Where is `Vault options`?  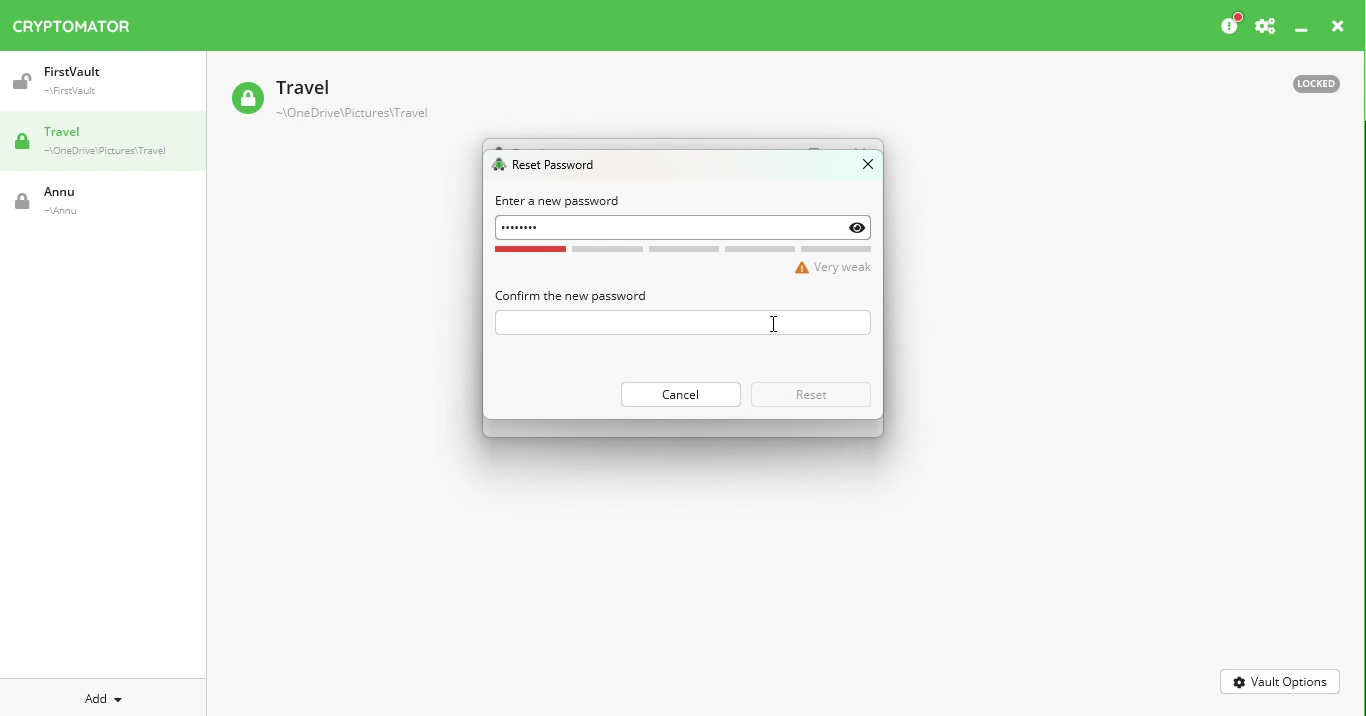
Vault options is located at coordinates (1281, 680).